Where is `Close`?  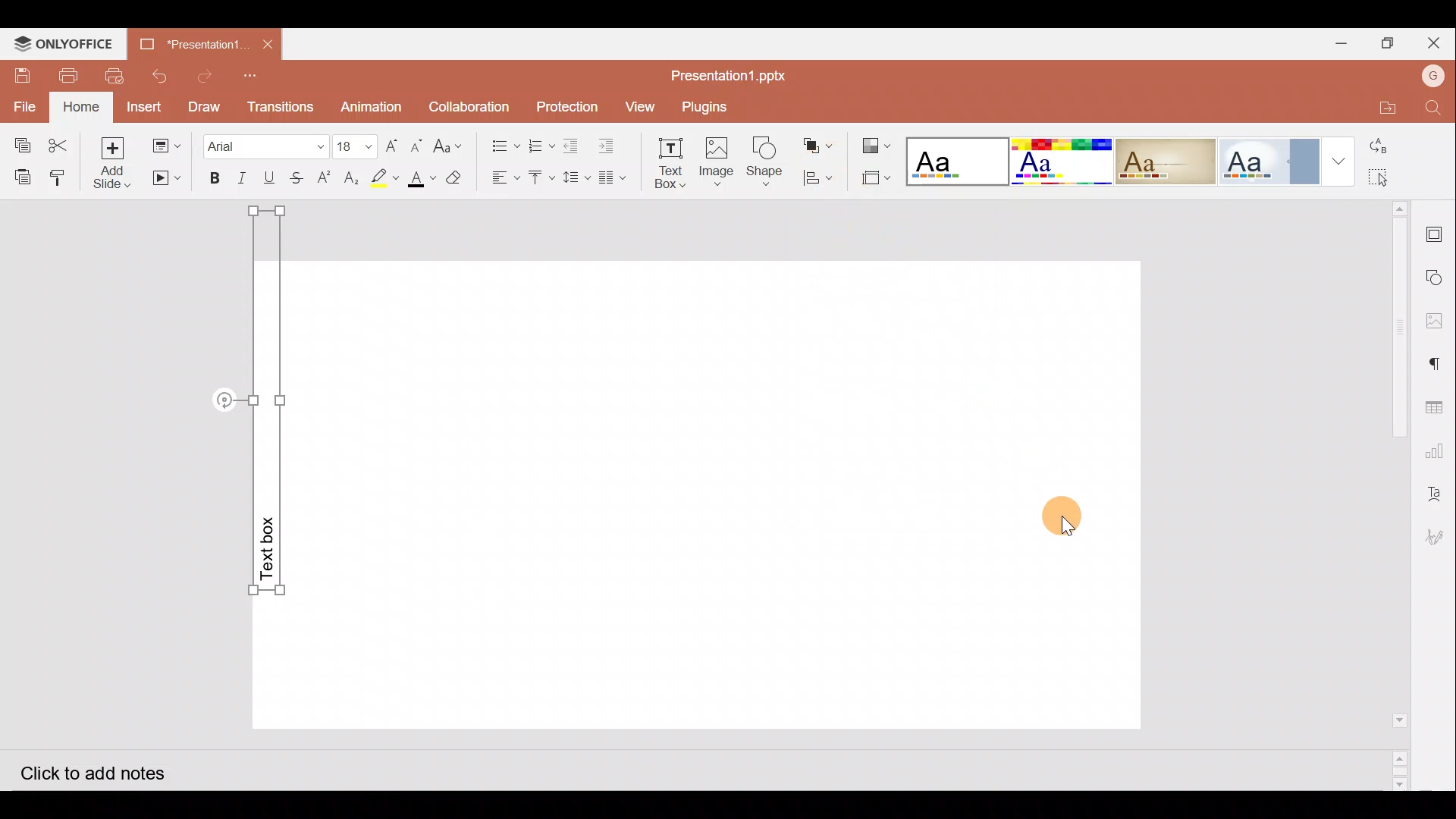 Close is located at coordinates (1437, 44).